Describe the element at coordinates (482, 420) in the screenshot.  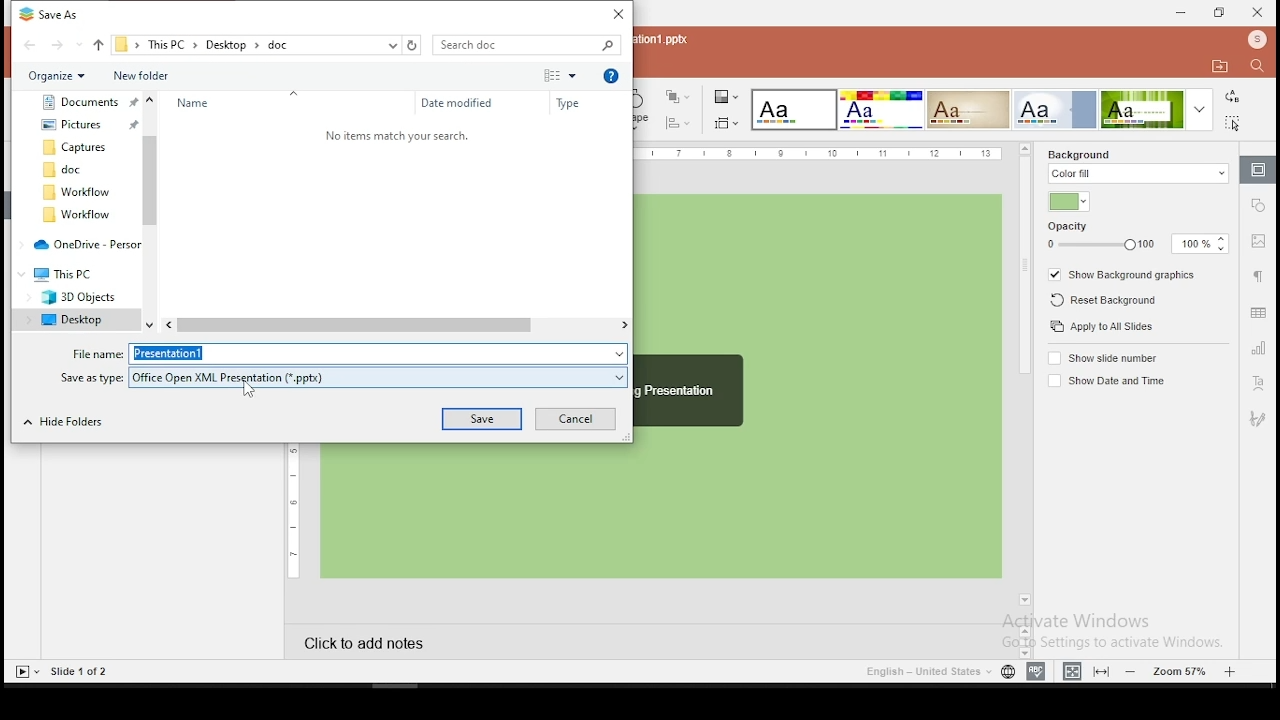
I see `Save` at that location.